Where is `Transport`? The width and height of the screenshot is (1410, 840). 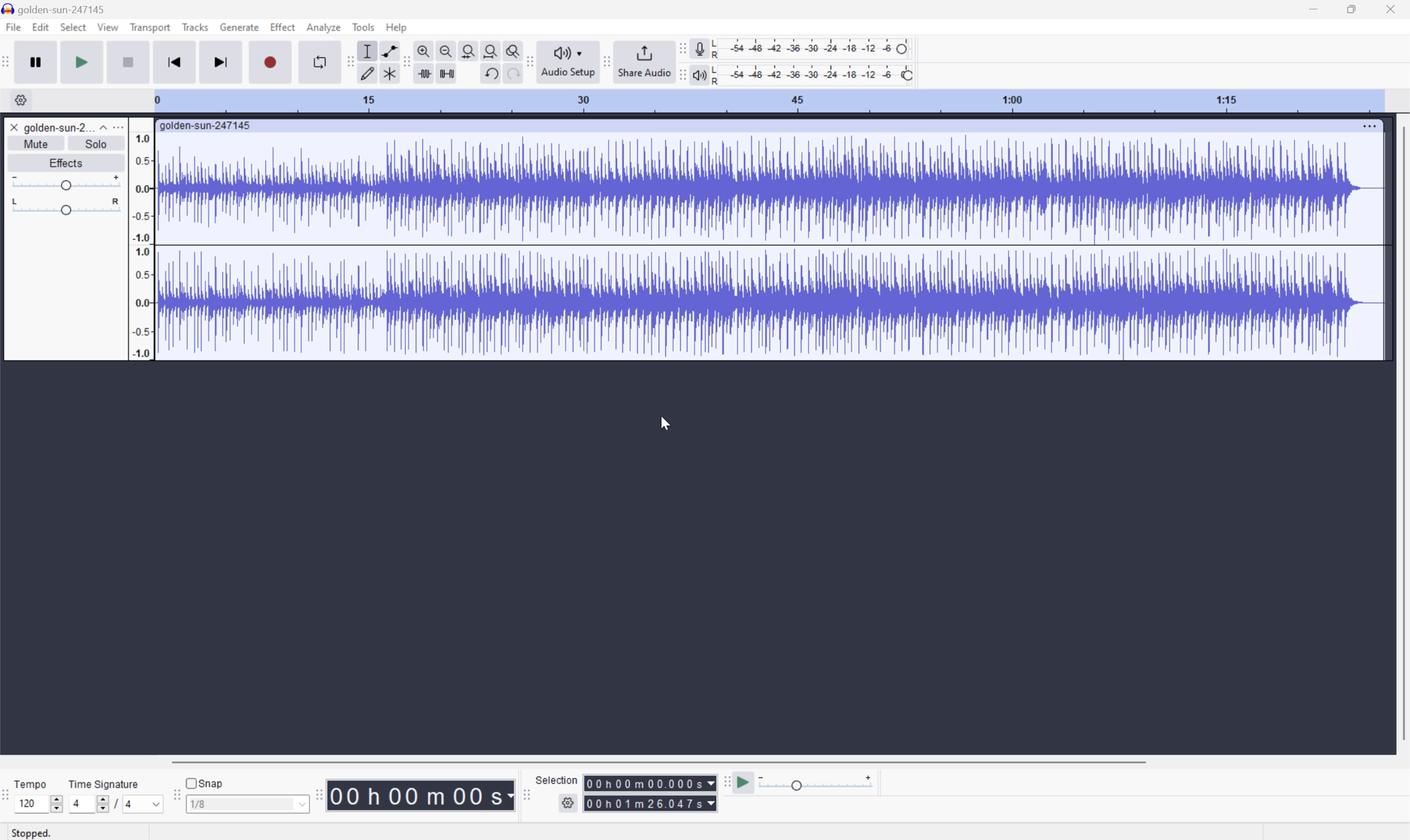 Transport is located at coordinates (150, 27).